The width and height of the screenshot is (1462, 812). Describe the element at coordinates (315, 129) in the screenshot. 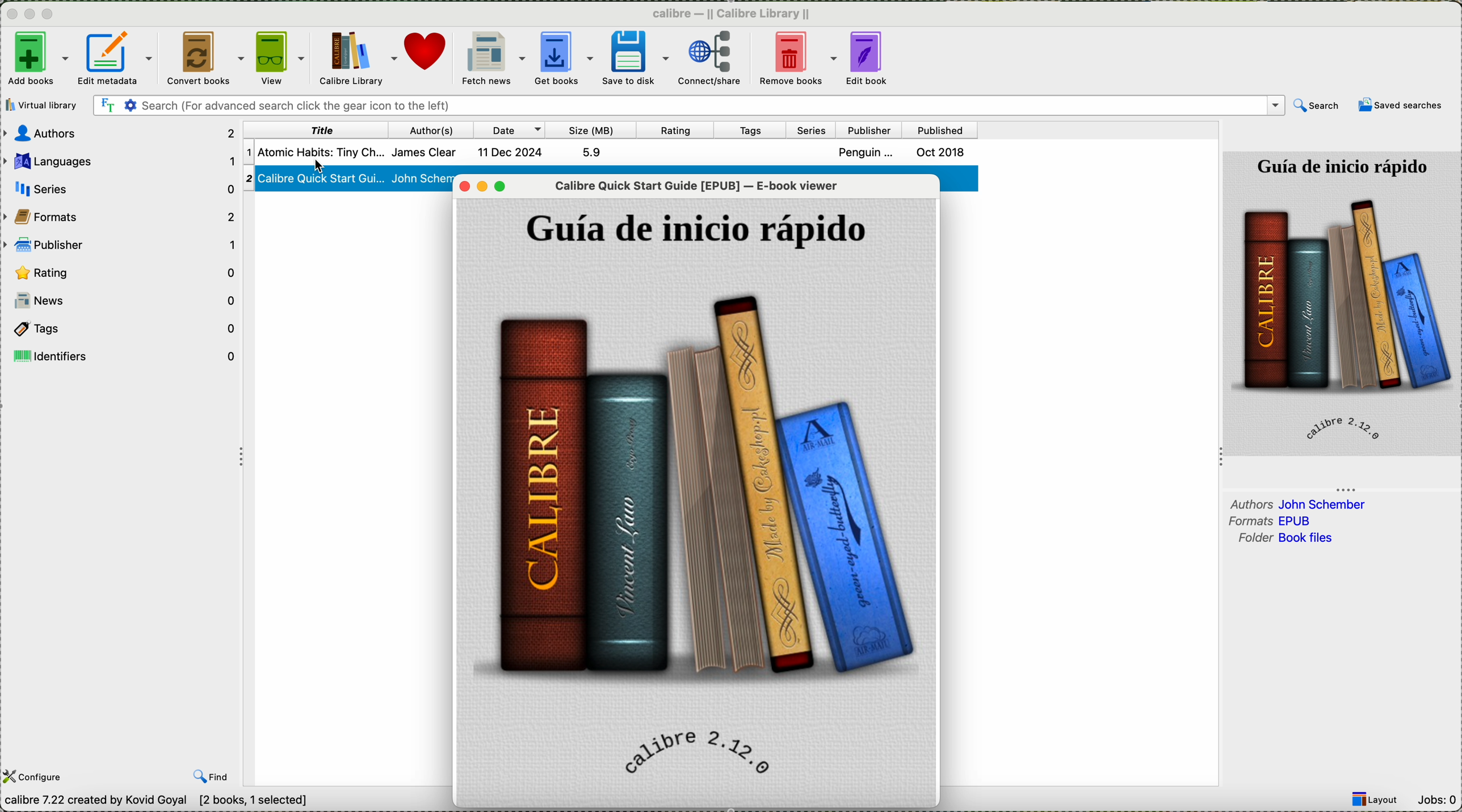

I see `title` at that location.